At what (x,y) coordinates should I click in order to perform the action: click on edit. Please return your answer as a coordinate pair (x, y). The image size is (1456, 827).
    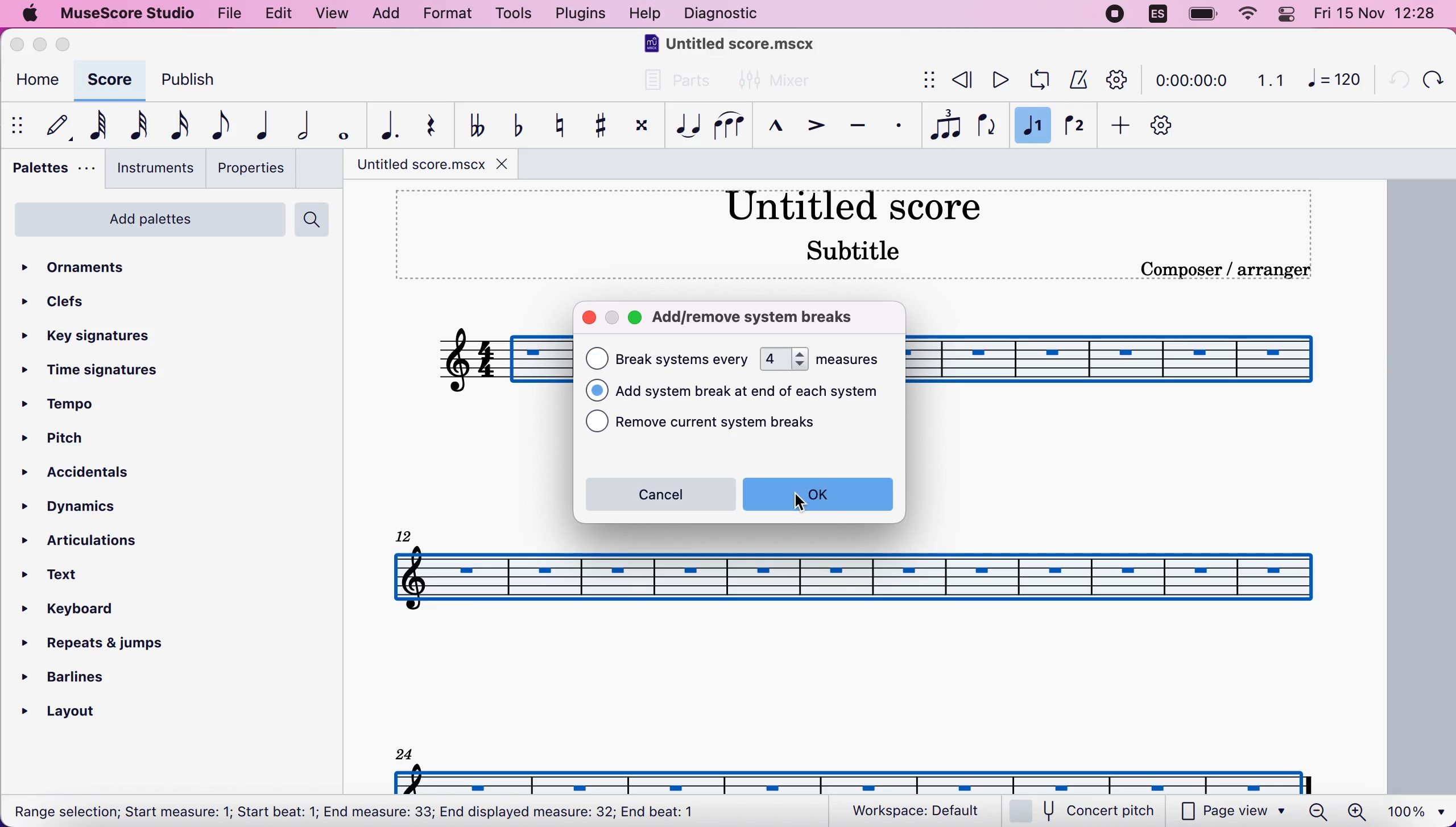
    Looking at the image, I should click on (278, 14).